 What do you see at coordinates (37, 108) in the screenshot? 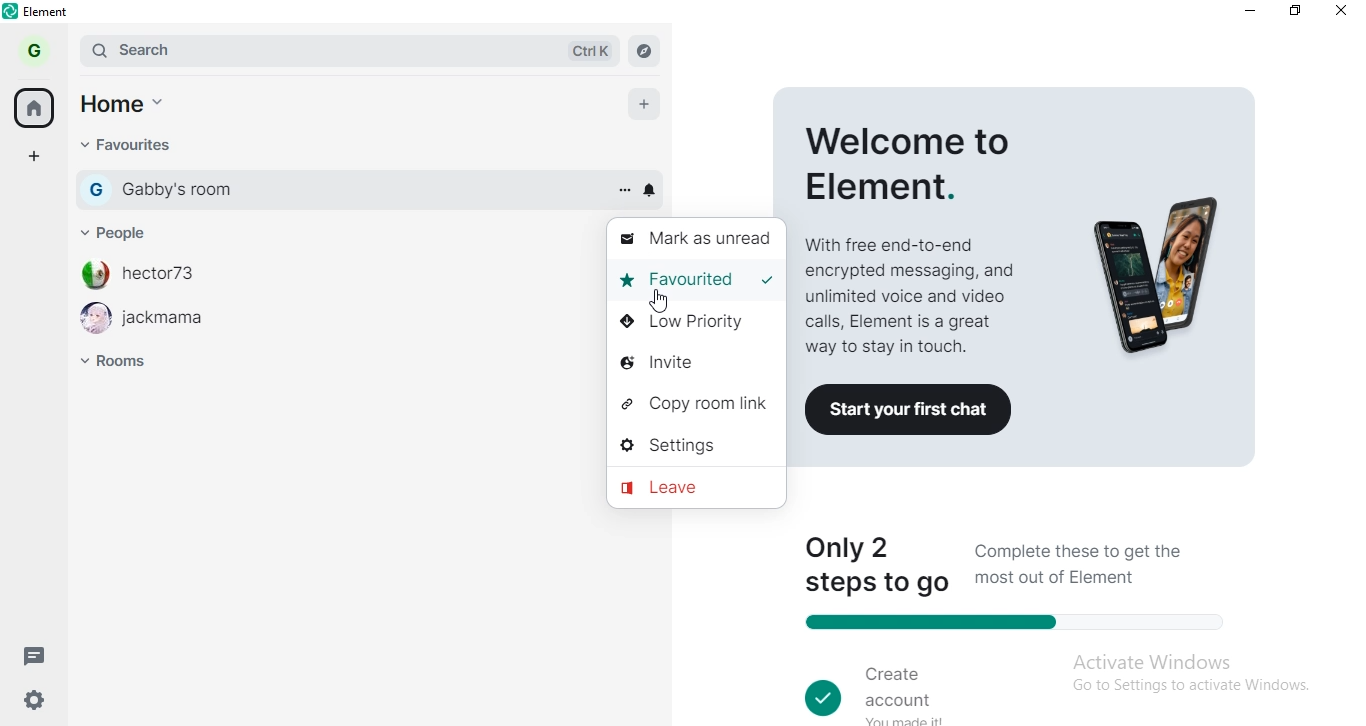
I see `home` at bounding box center [37, 108].